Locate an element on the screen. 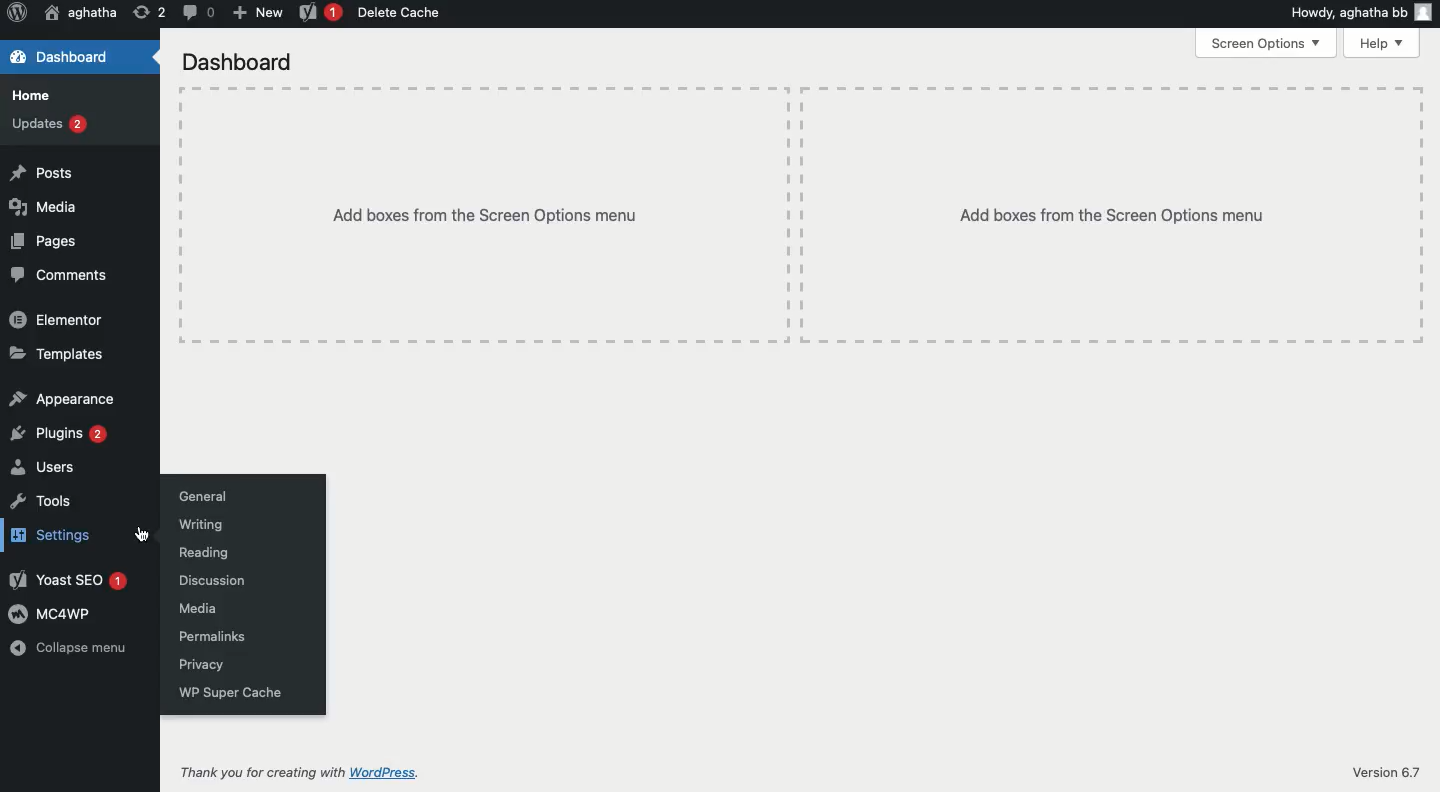 This screenshot has width=1440, height=792. Plugins is located at coordinates (58, 434).